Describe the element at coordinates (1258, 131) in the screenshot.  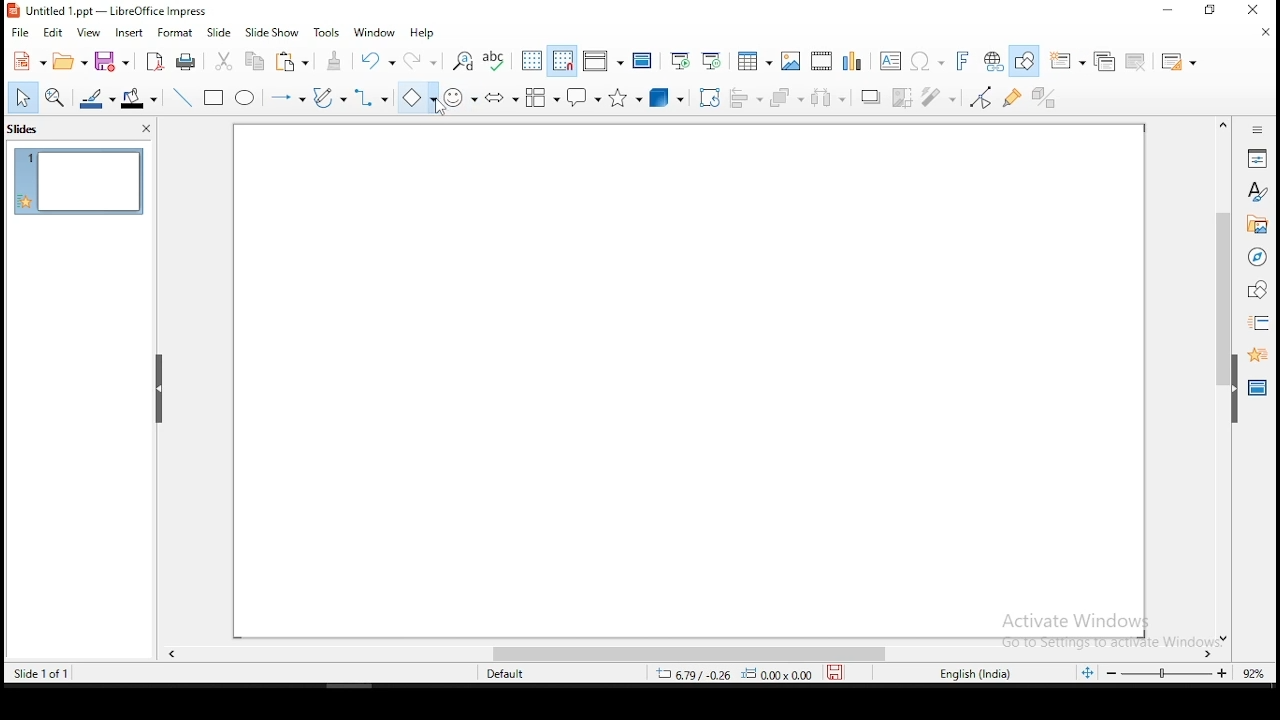
I see `sidebar settings` at that location.